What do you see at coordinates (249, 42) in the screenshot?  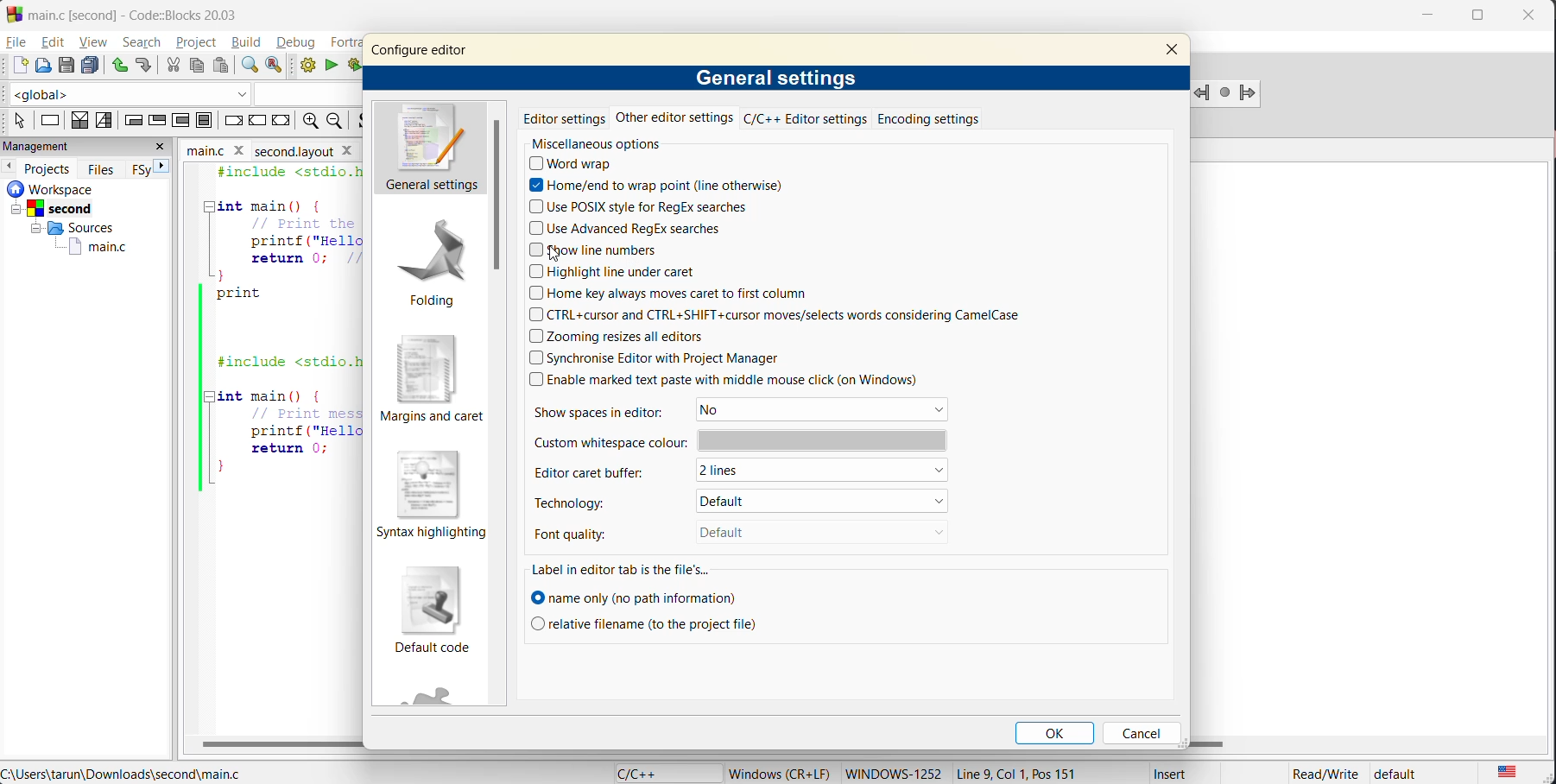 I see `build` at bounding box center [249, 42].